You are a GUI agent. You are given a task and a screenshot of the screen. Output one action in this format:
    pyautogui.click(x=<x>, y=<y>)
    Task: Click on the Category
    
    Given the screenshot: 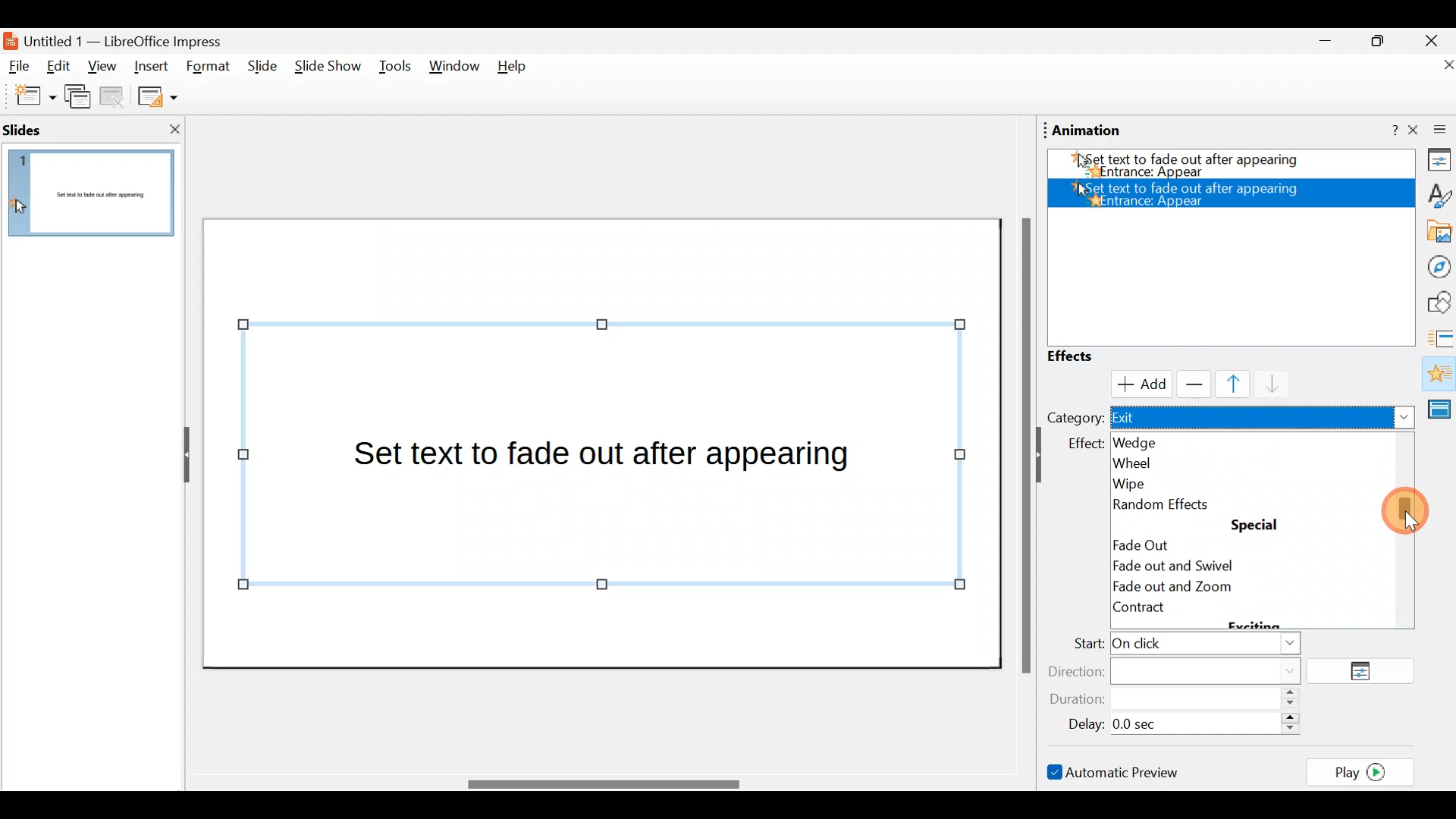 What is the action you would take?
    pyautogui.click(x=1075, y=417)
    